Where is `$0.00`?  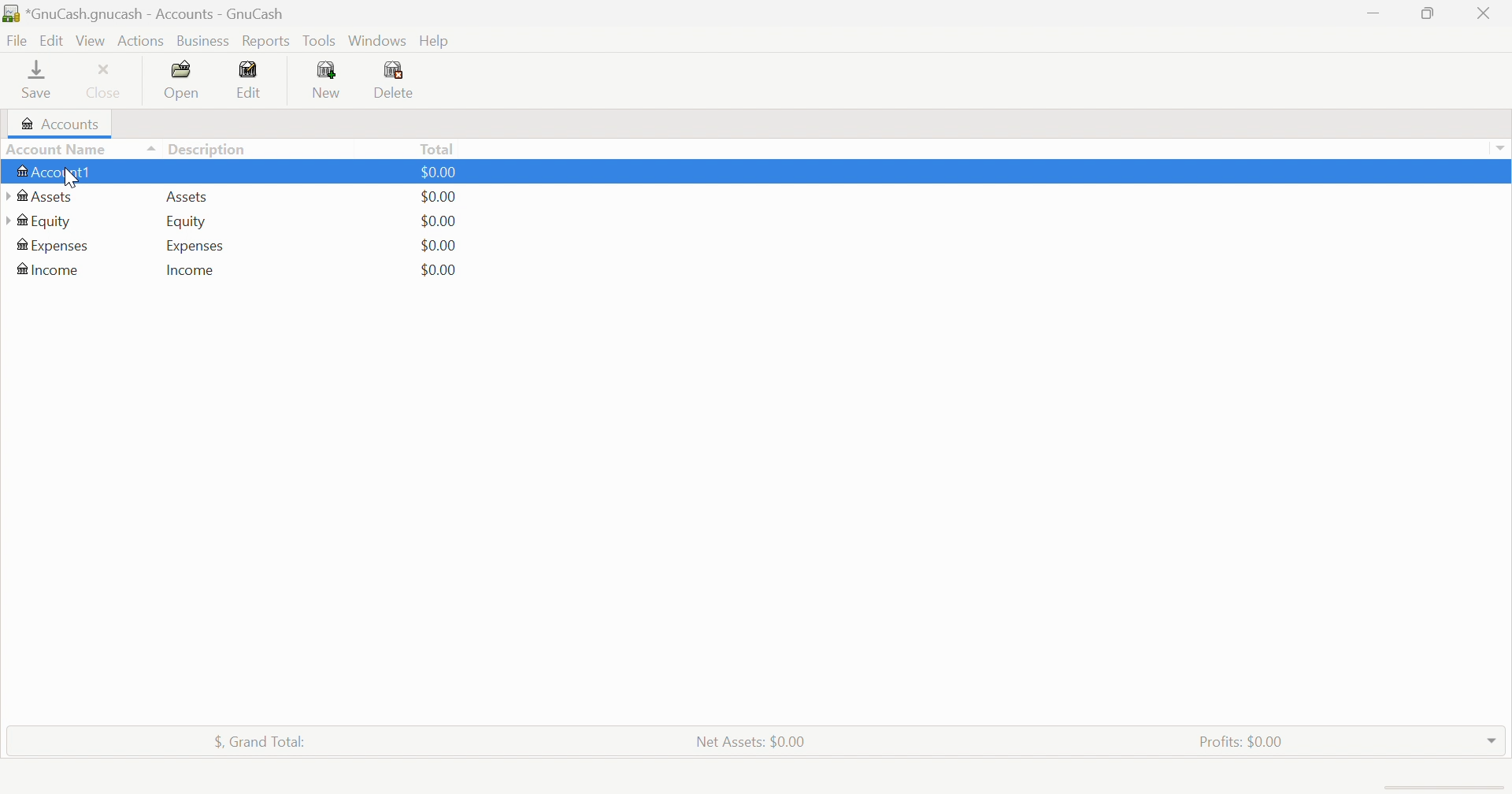
$0.00 is located at coordinates (439, 197).